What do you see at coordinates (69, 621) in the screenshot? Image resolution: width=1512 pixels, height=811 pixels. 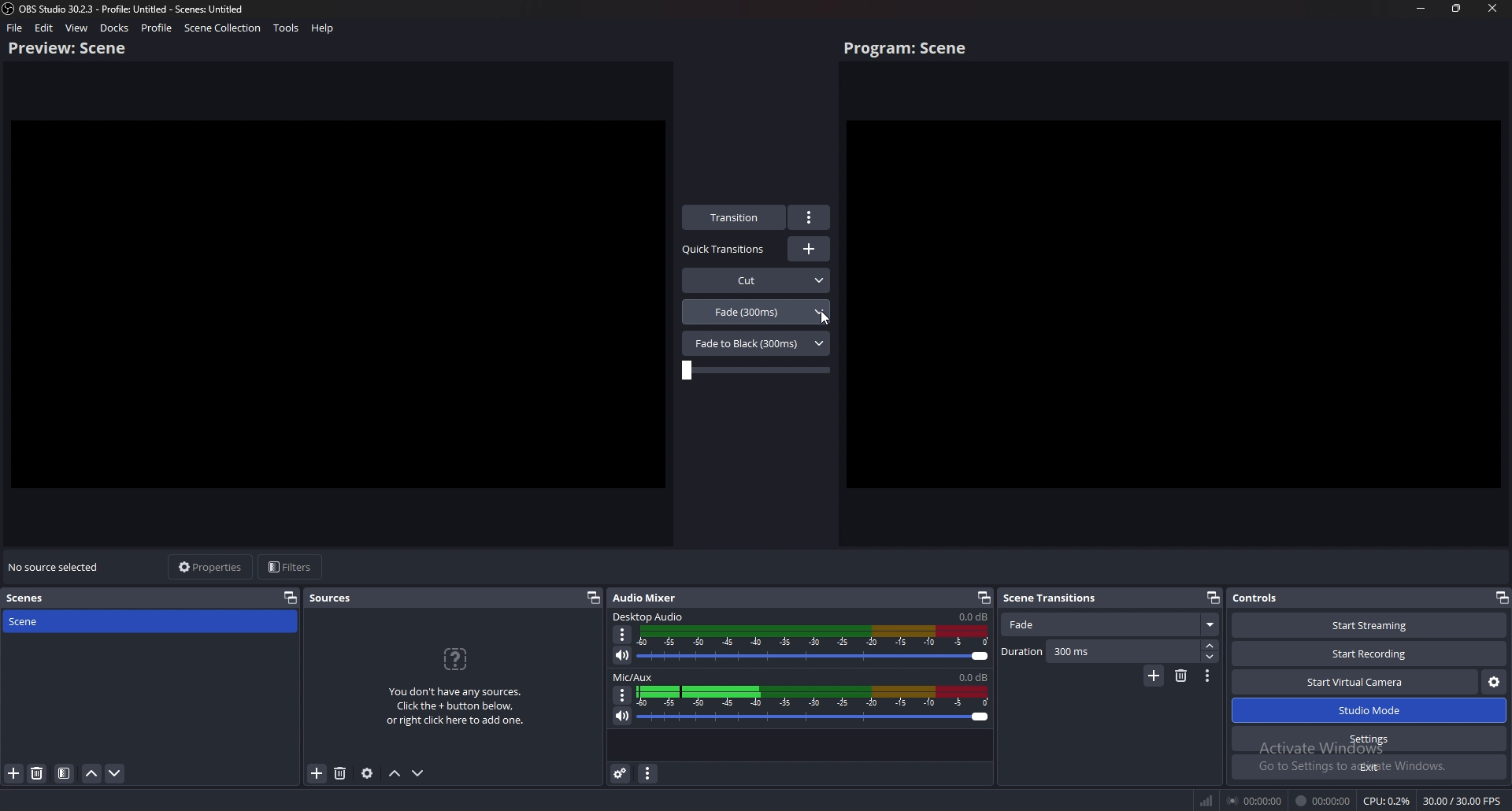 I see `scene` at bounding box center [69, 621].